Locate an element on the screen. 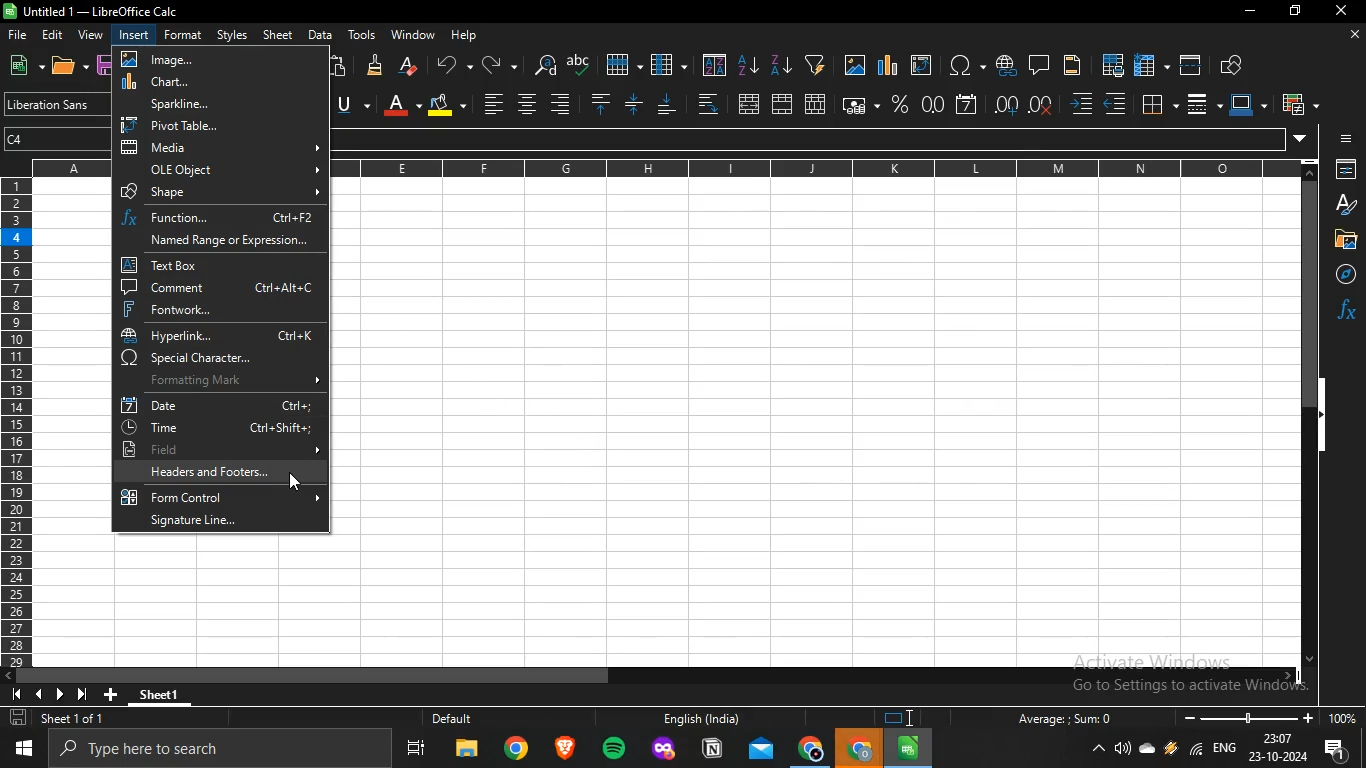  icon is located at coordinates (903, 718).